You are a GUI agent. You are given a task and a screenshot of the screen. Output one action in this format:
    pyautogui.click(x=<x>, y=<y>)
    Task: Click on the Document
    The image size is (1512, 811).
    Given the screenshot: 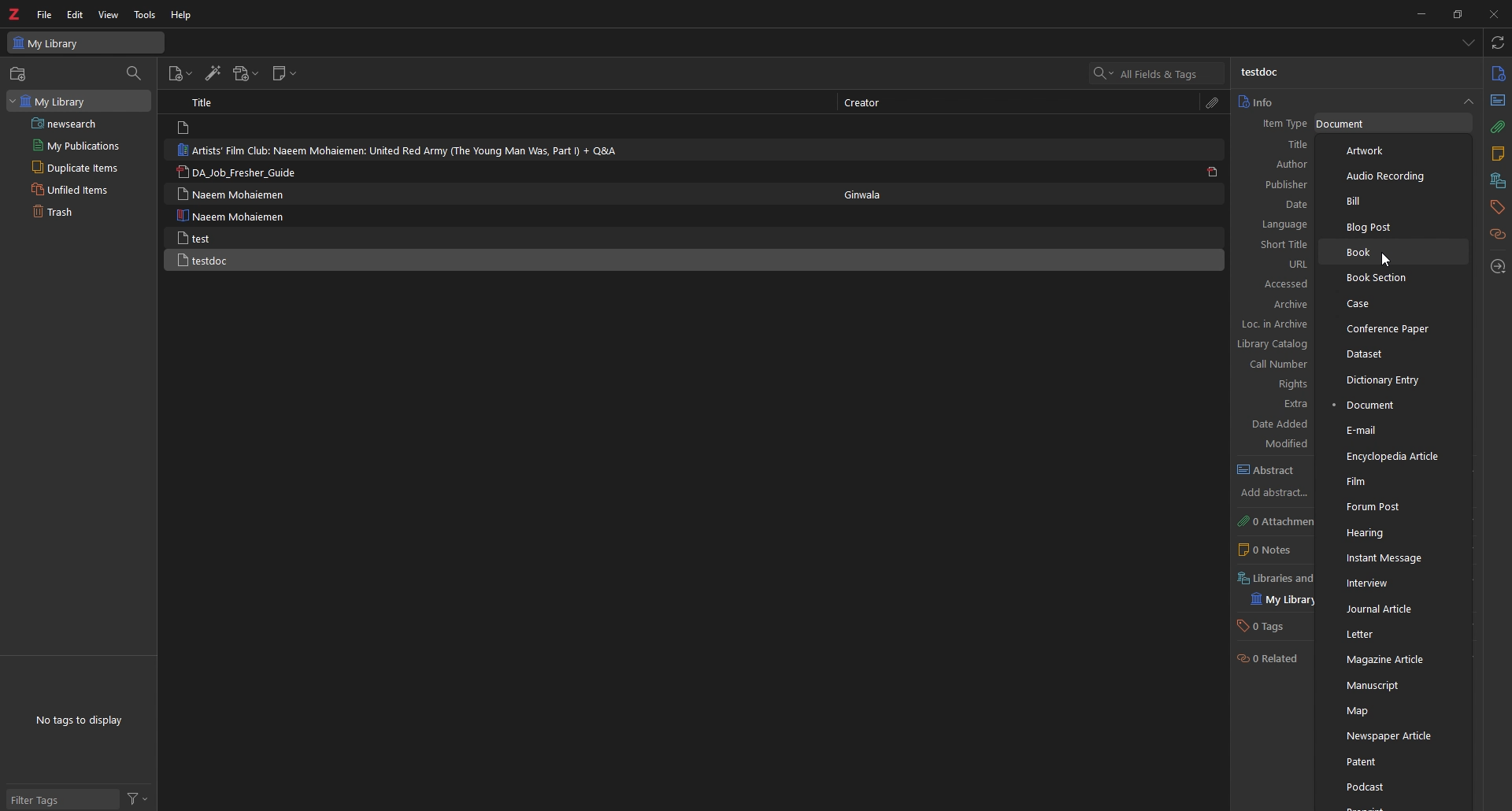 What is the action you would take?
    pyautogui.click(x=1347, y=124)
    